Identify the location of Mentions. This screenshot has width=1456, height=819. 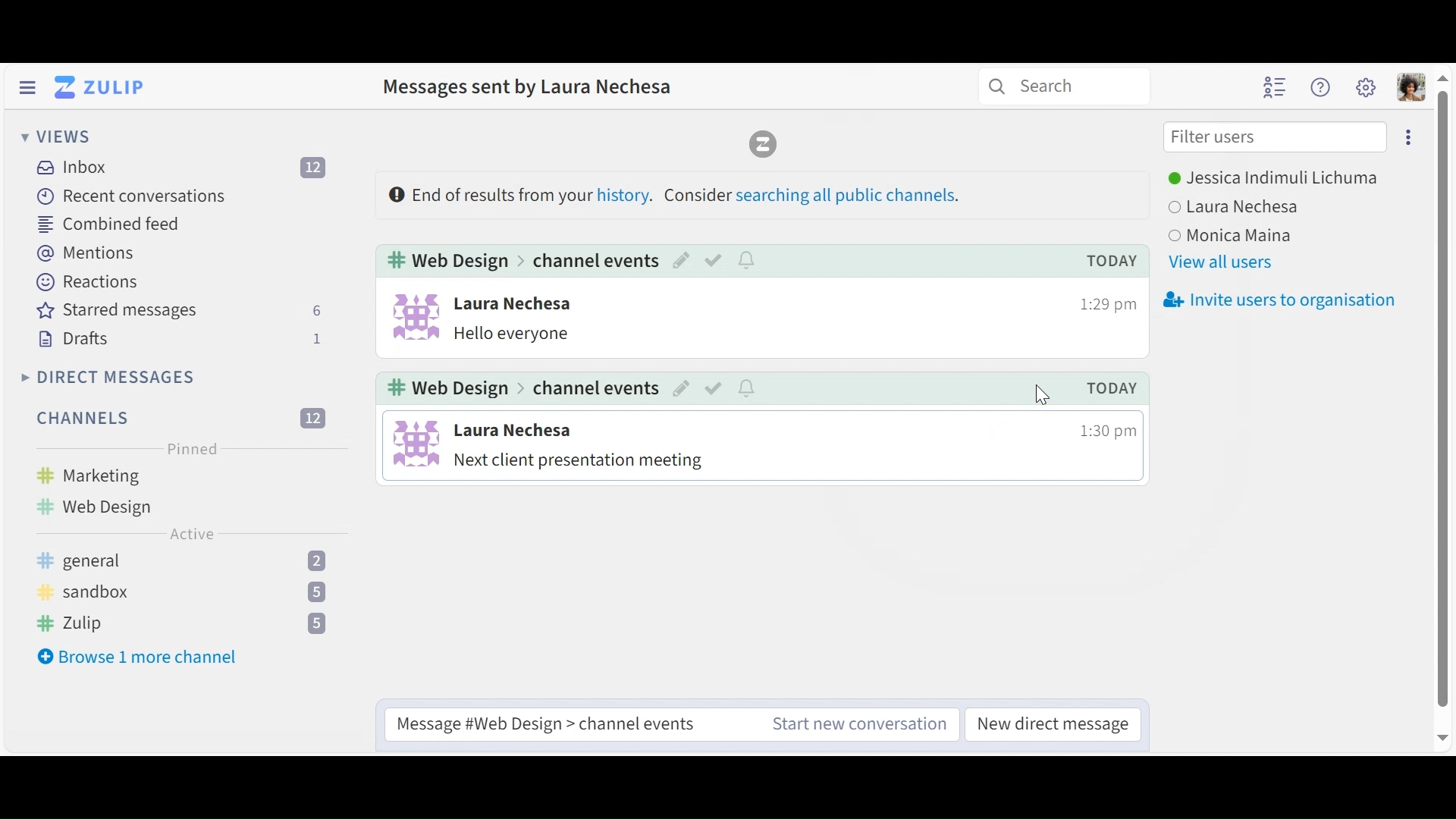
(88, 253).